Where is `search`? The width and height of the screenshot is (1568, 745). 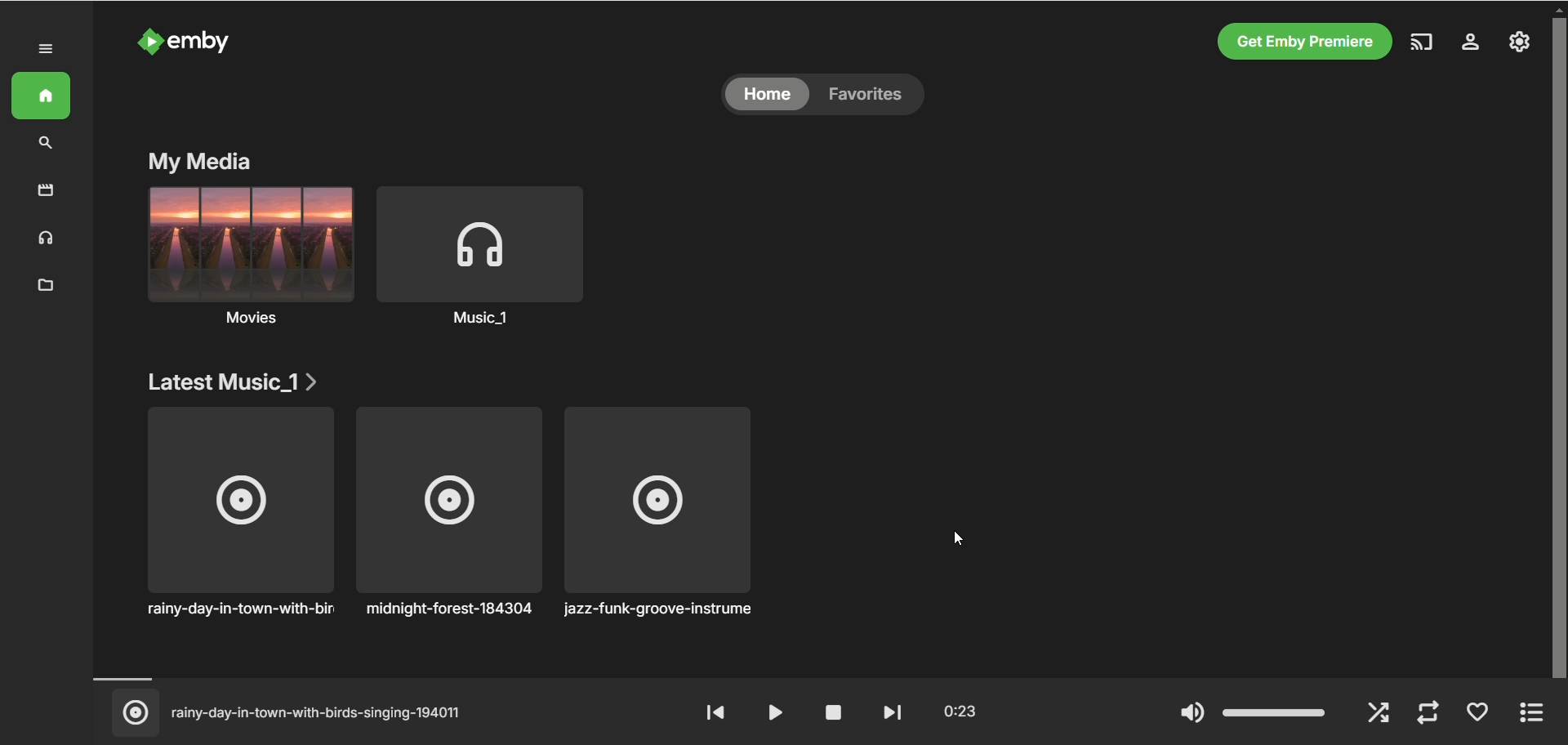 search is located at coordinates (48, 145).